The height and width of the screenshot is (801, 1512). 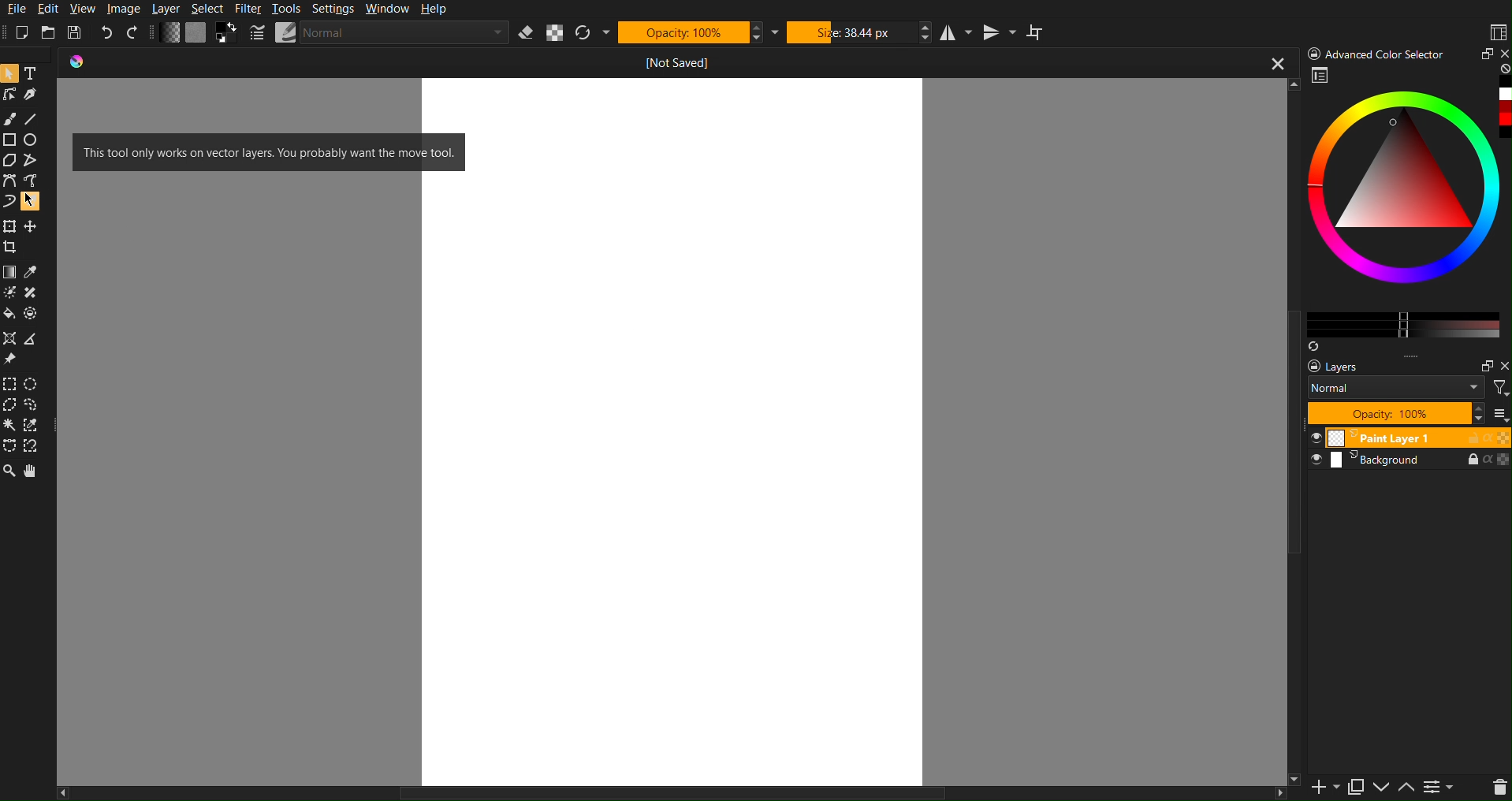 I want to click on Gradient, so click(x=10, y=270).